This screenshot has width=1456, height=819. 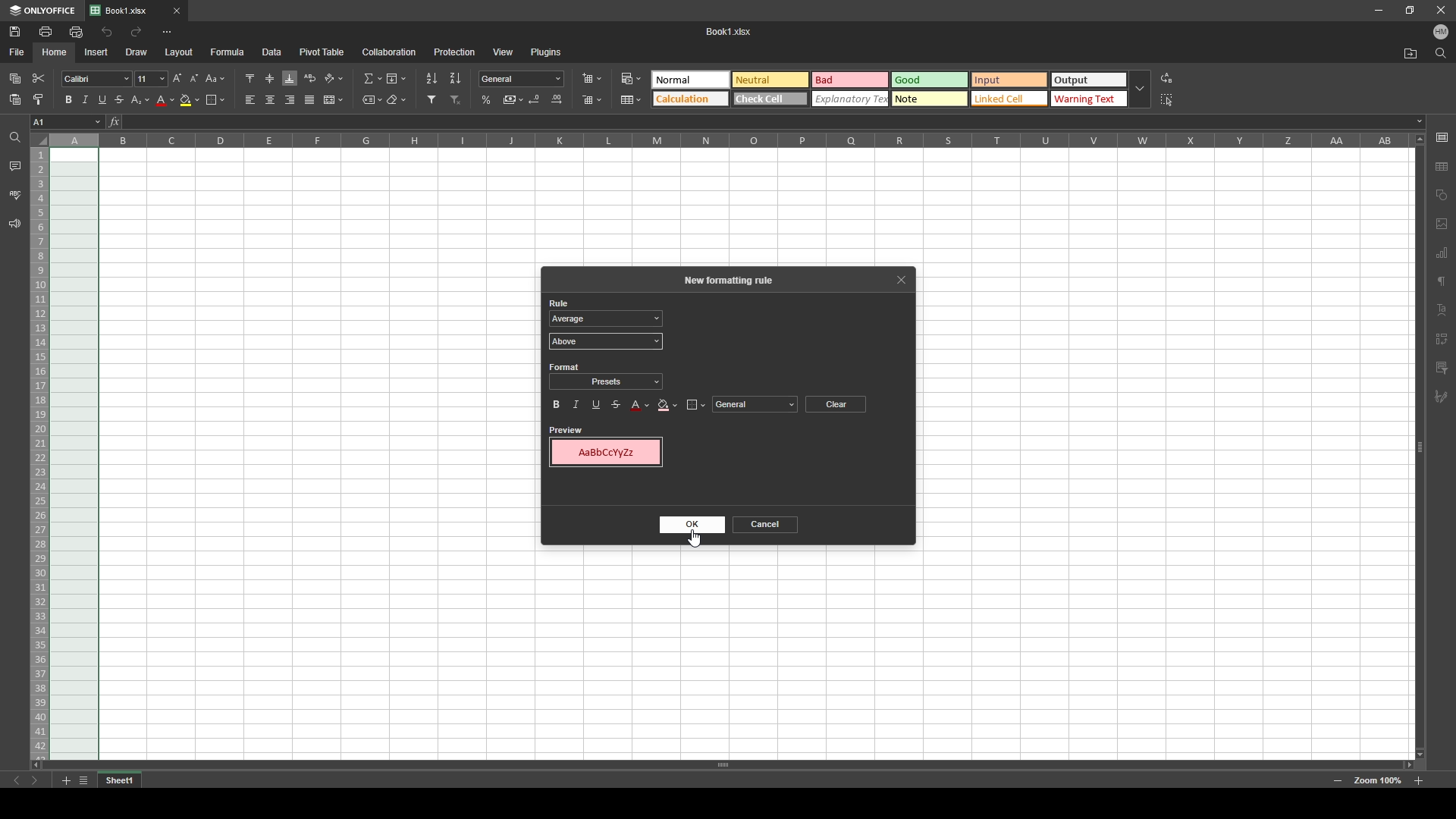 I want to click on wrap text, so click(x=311, y=77).